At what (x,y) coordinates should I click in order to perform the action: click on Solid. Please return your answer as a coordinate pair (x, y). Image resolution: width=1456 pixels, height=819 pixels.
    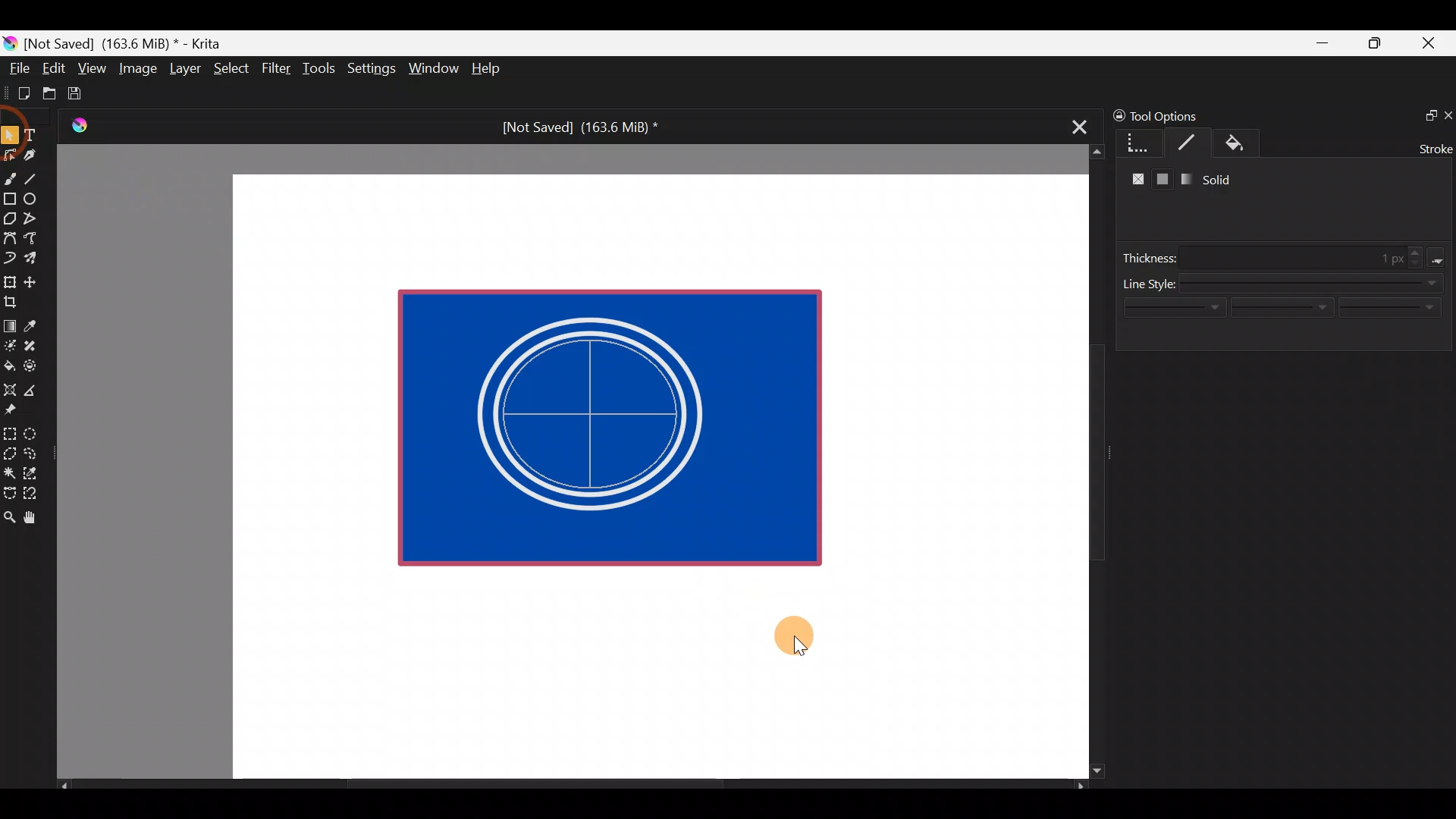
    Looking at the image, I should click on (1222, 179).